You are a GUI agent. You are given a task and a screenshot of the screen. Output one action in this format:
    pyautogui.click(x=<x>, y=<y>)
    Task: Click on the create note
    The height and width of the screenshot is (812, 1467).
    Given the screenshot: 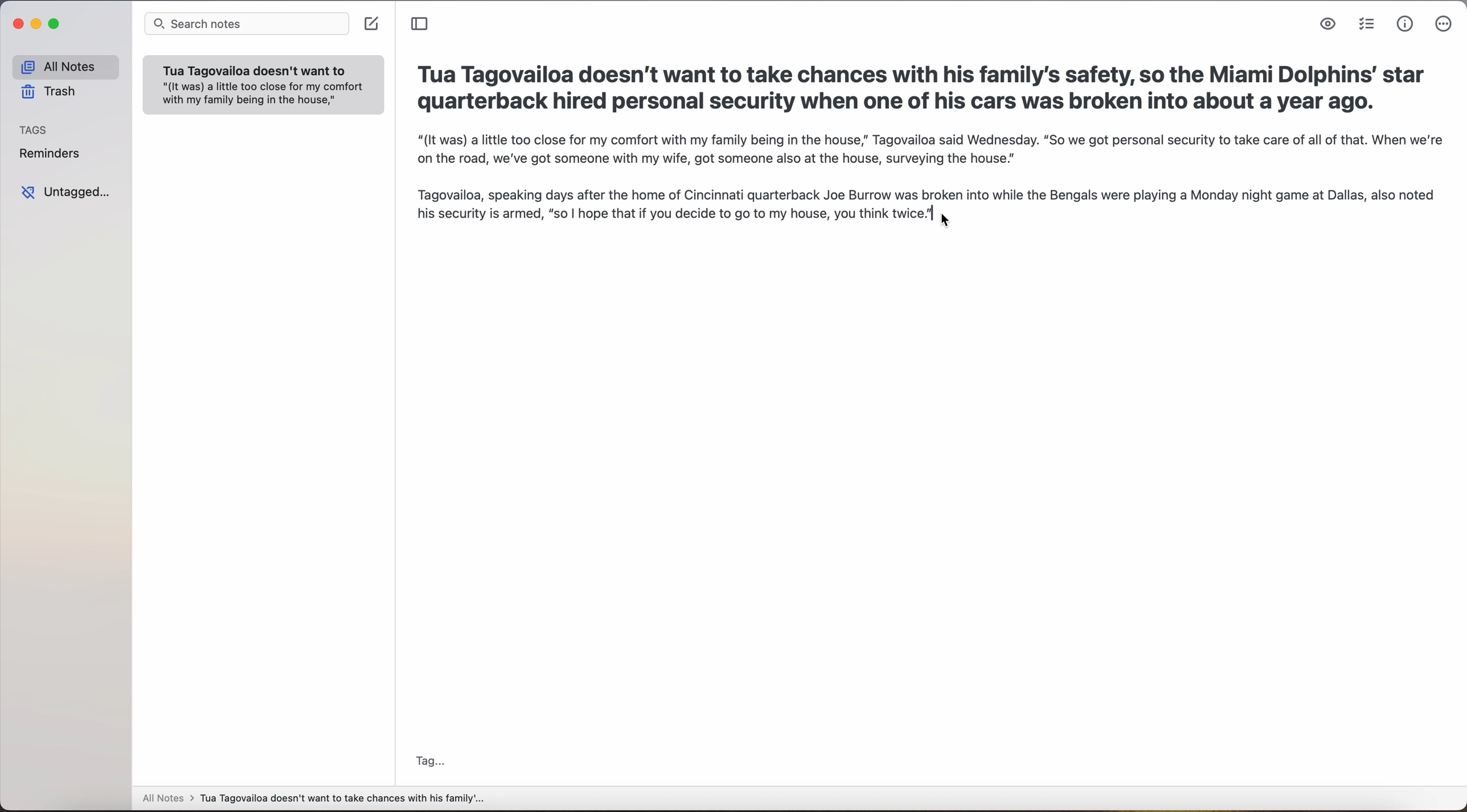 What is the action you would take?
    pyautogui.click(x=373, y=26)
    